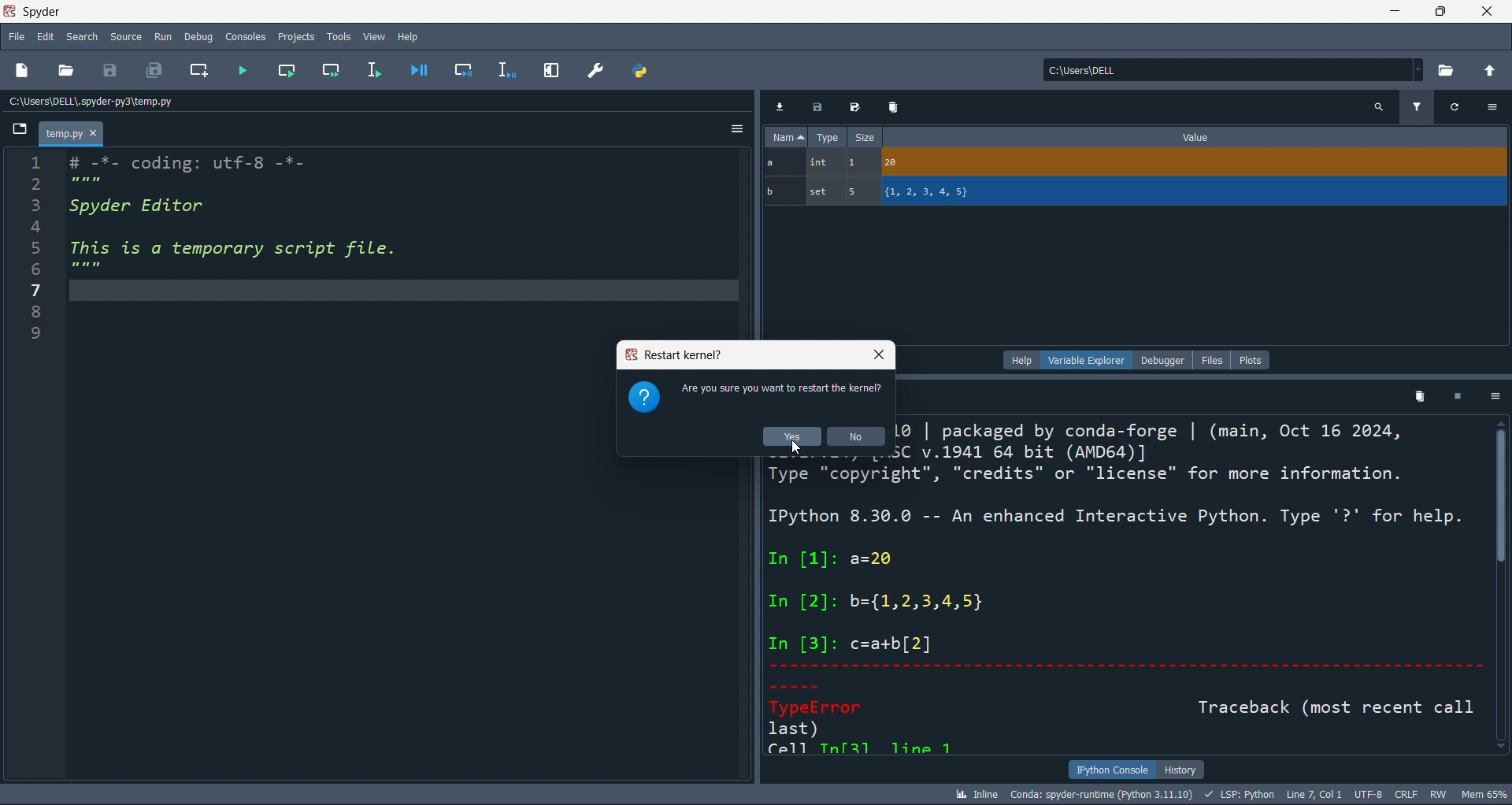  What do you see at coordinates (421, 72) in the screenshot?
I see `debug file` at bounding box center [421, 72].